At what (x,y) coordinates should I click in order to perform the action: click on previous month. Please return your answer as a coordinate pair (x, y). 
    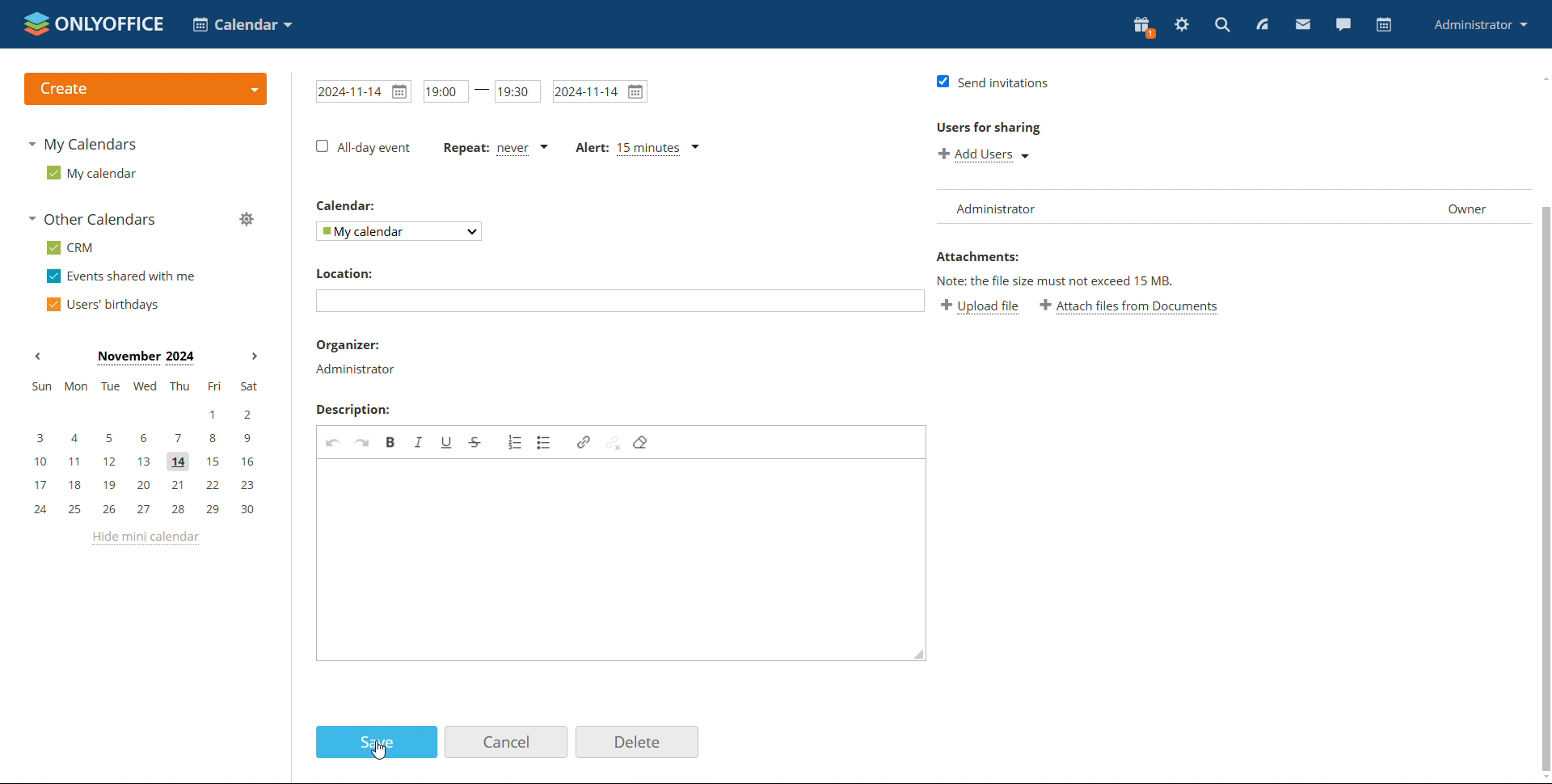
    Looking at the image, I should click on (37, 356).